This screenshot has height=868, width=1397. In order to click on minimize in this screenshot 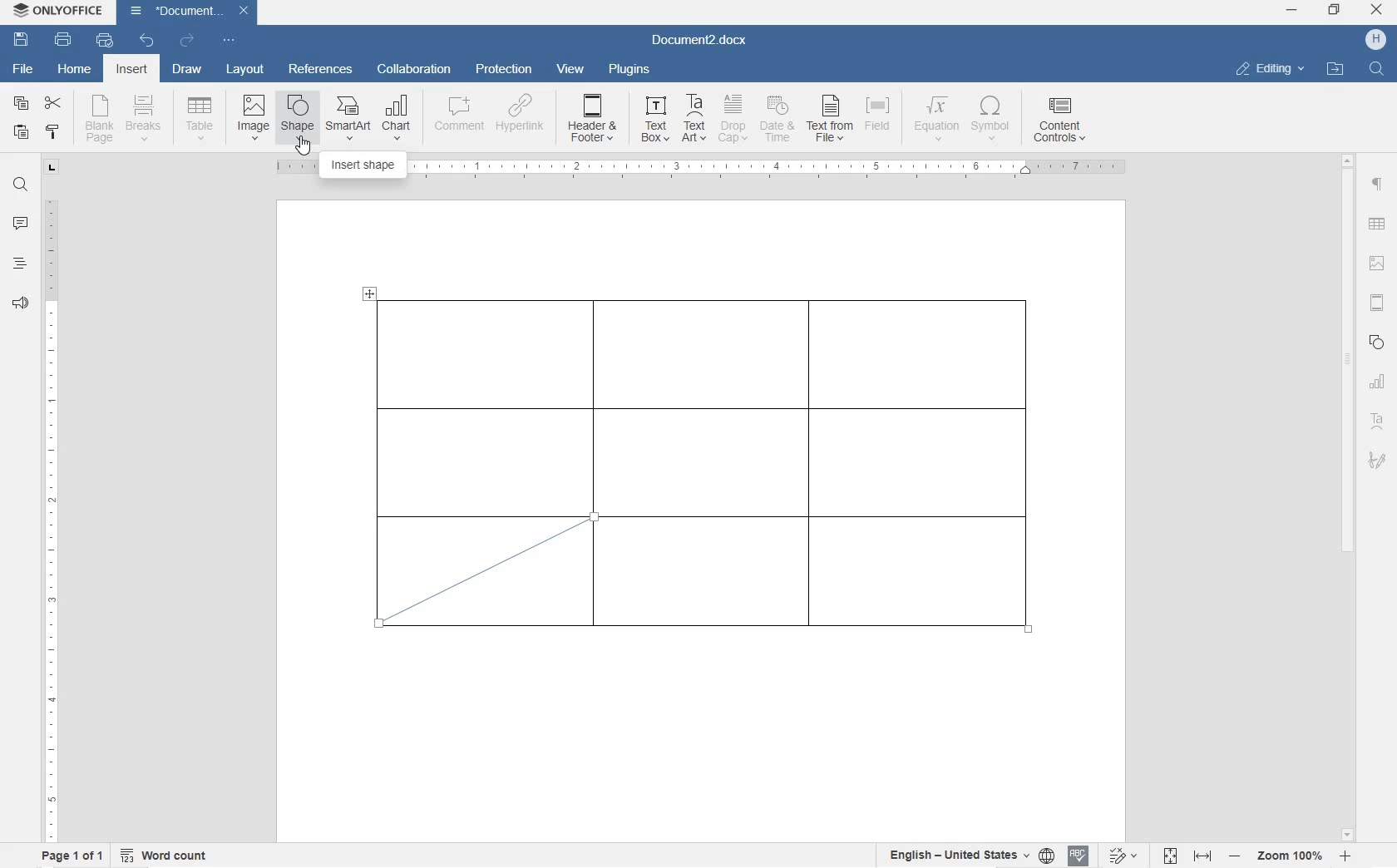, I will do `click(1291, 10)`.